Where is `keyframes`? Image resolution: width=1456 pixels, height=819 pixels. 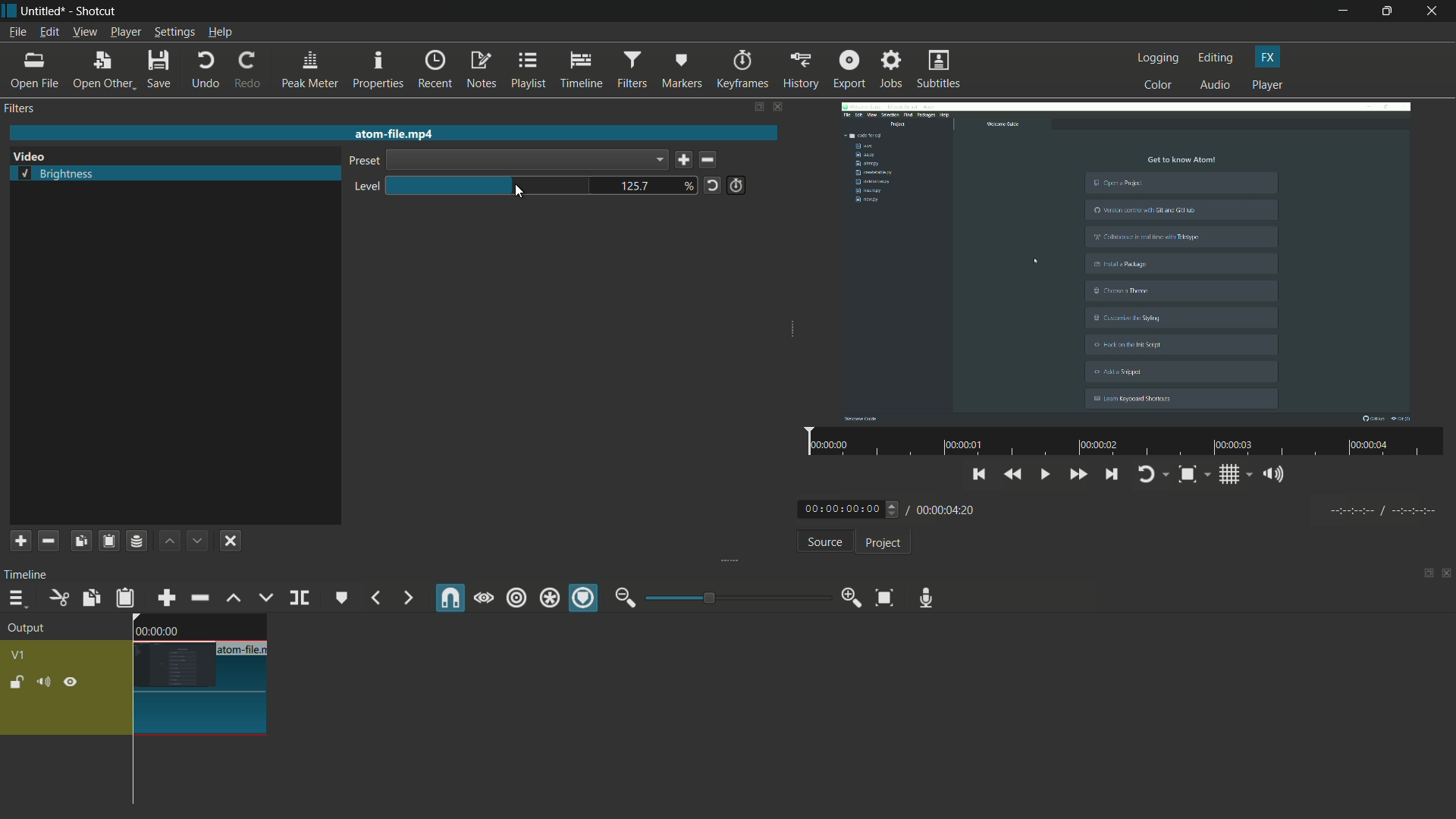
keyframes is located at coordinates (742, 70).